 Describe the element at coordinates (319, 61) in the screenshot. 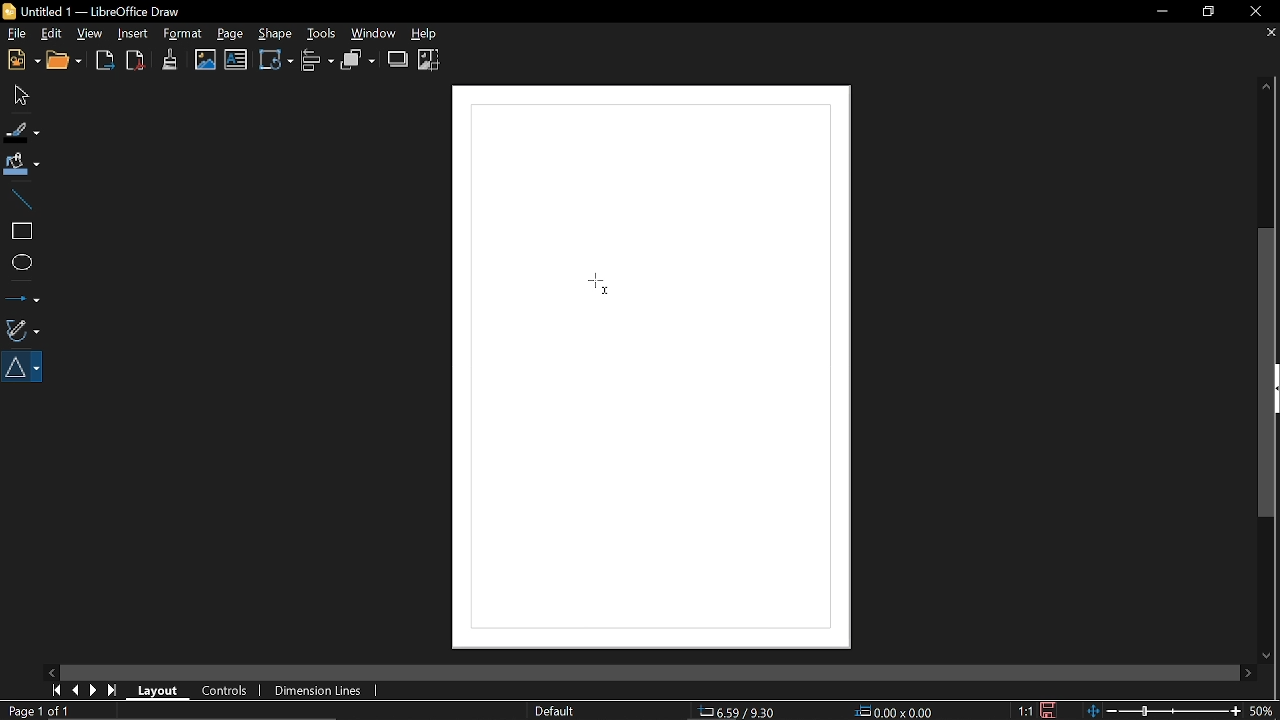

I see `Align` at that location.